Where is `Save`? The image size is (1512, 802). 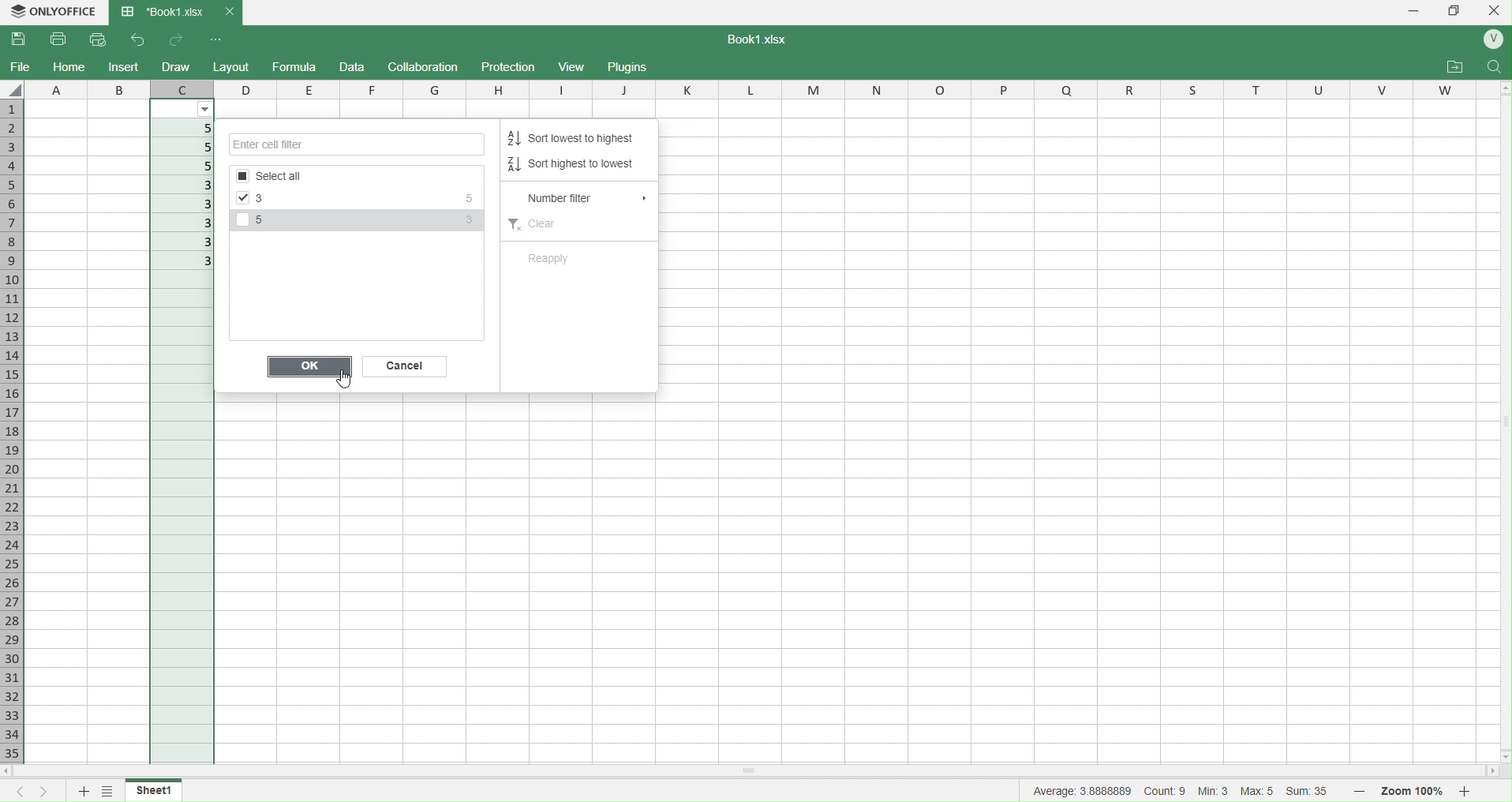 Save is located at coordinates (21, 39).